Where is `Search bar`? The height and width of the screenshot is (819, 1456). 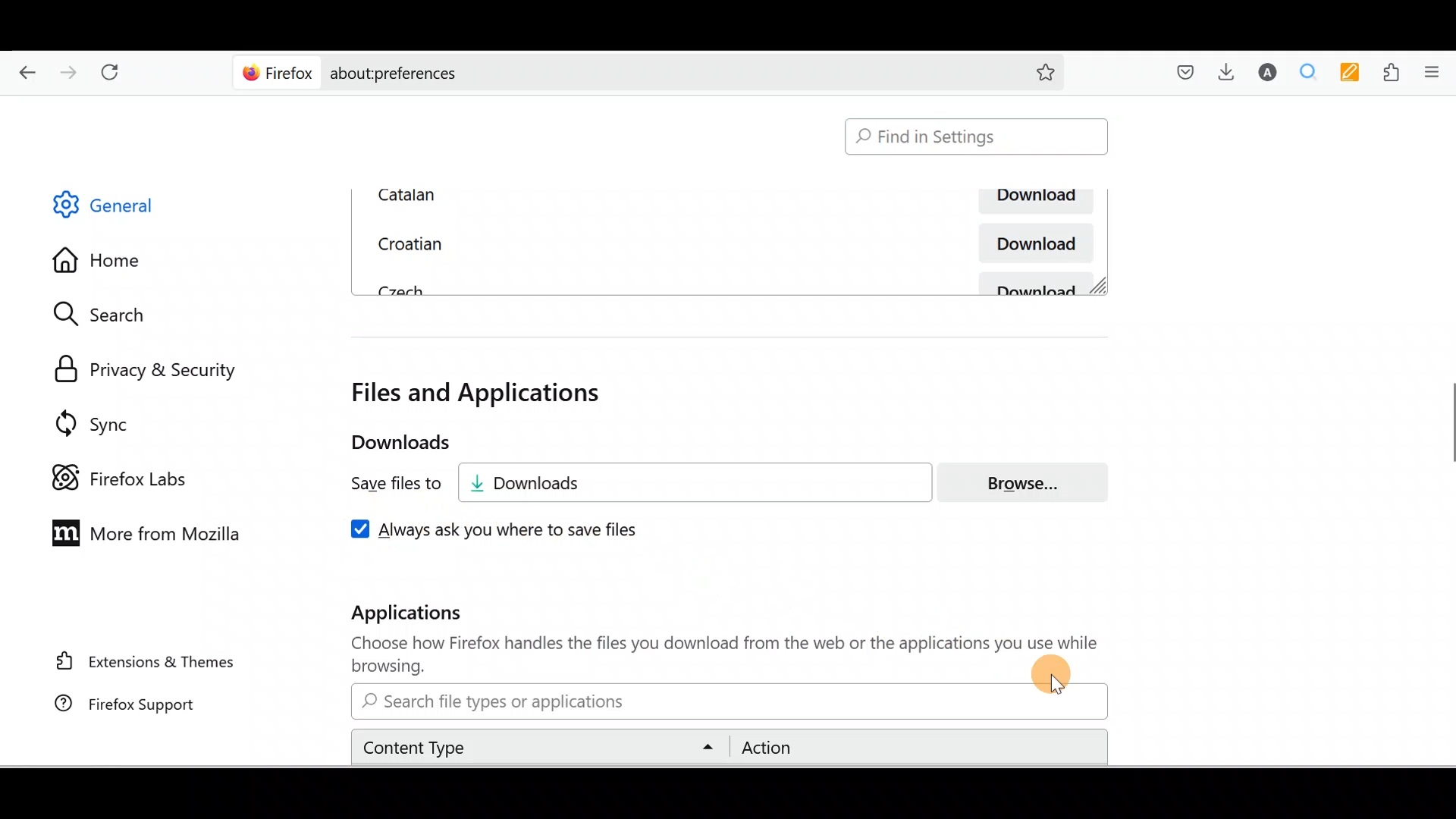 Search bar is located at coordinates (977, 137).